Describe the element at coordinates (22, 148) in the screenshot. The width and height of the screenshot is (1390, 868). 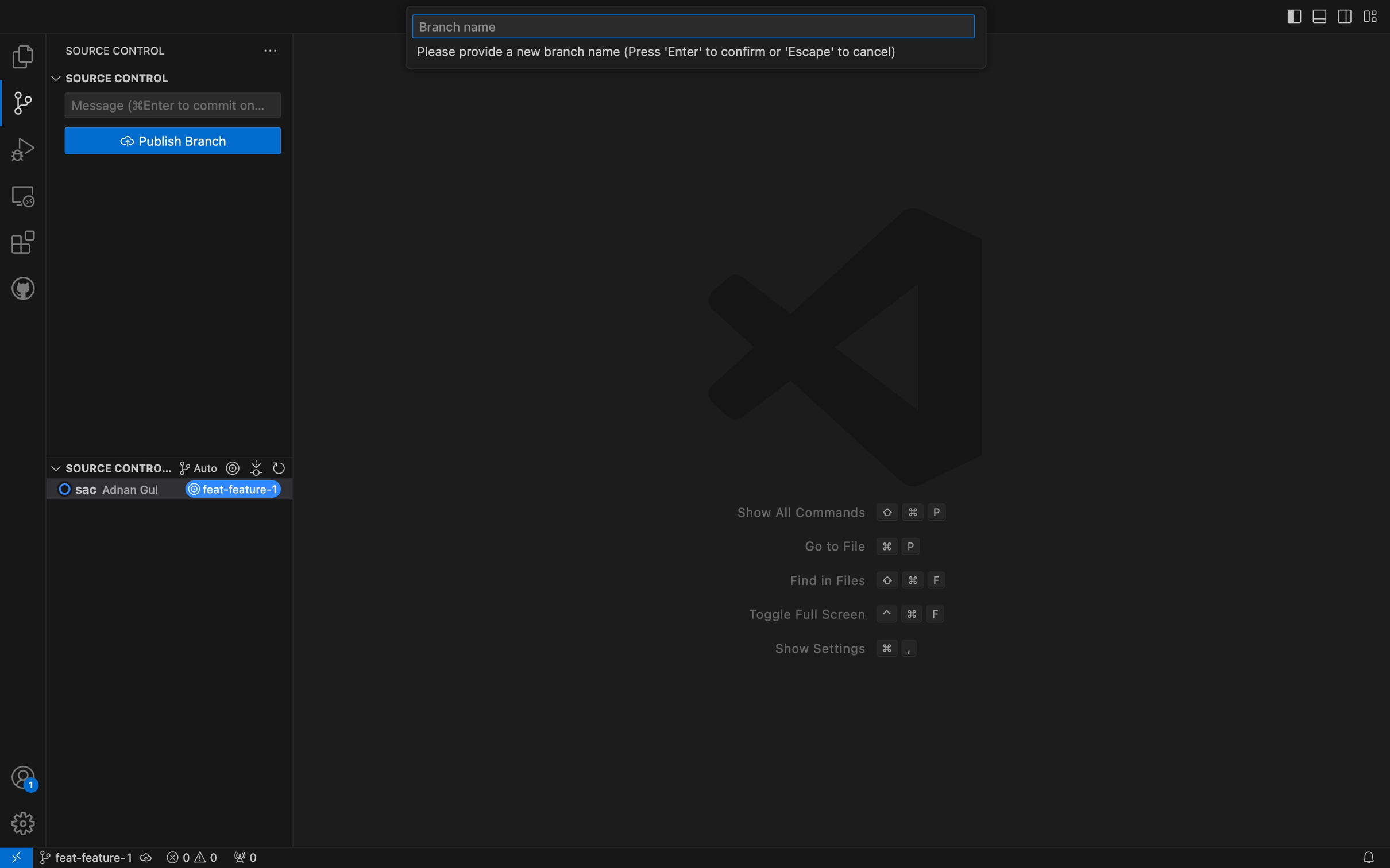
I see `debugger` at that location.